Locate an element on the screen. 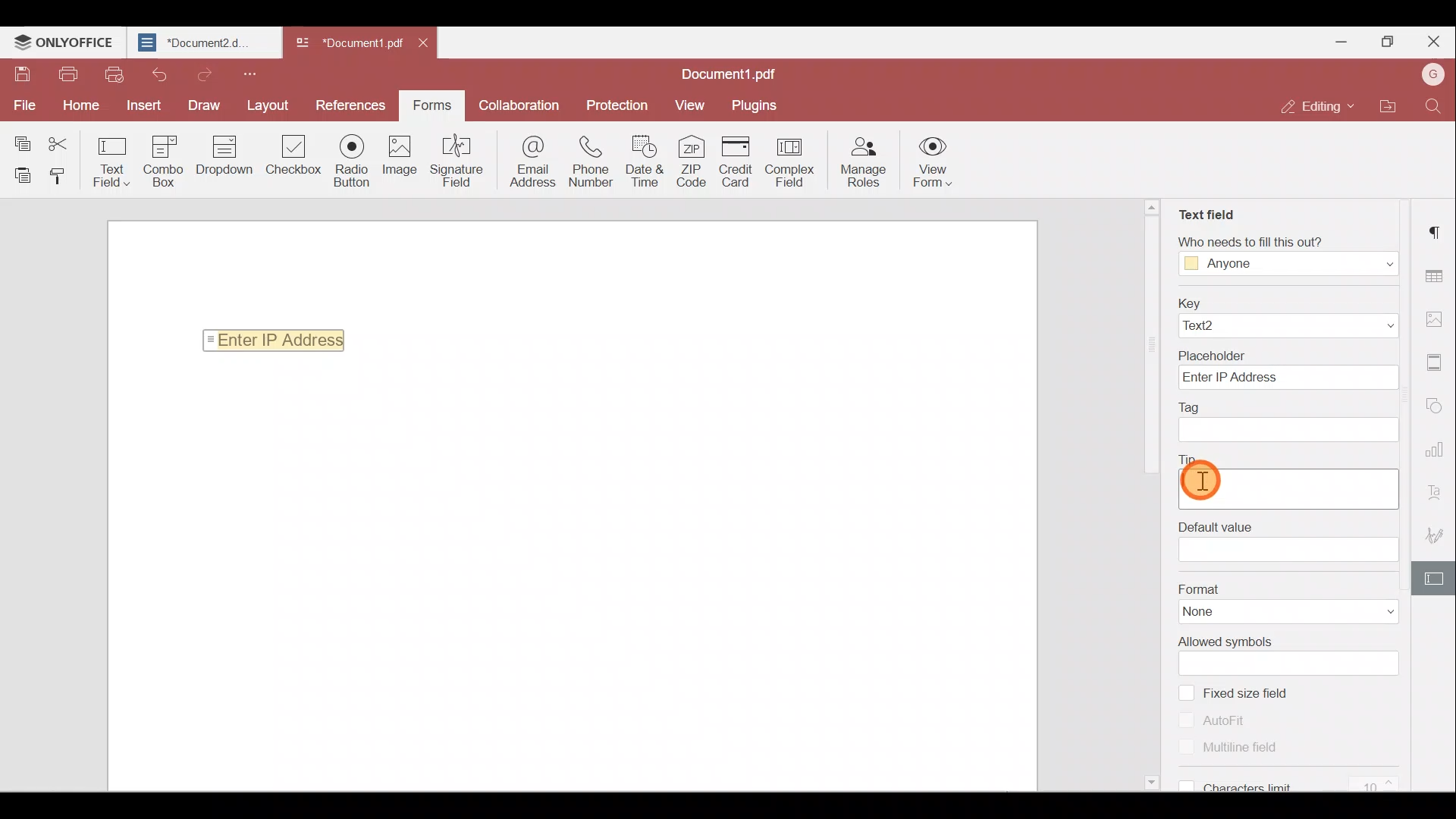 Image resolution: width=1456 pixels, height=819 pixels. Allowed symbols is located at coordinates (1228, 642).